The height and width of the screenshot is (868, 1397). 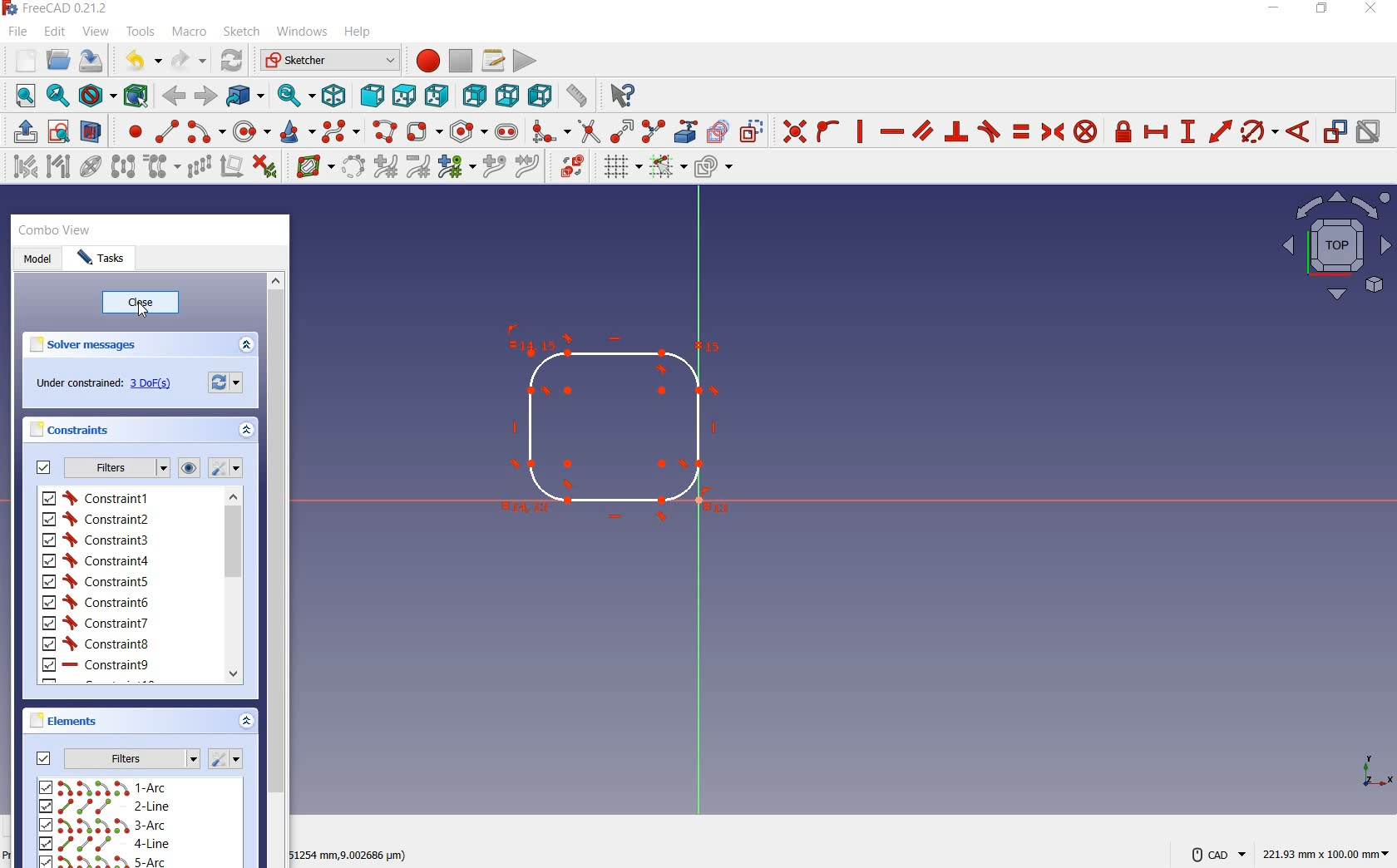 What do you see at coordinates (165, 132) in the screenshot?
I see `create line` at bounding box center [165, 132].